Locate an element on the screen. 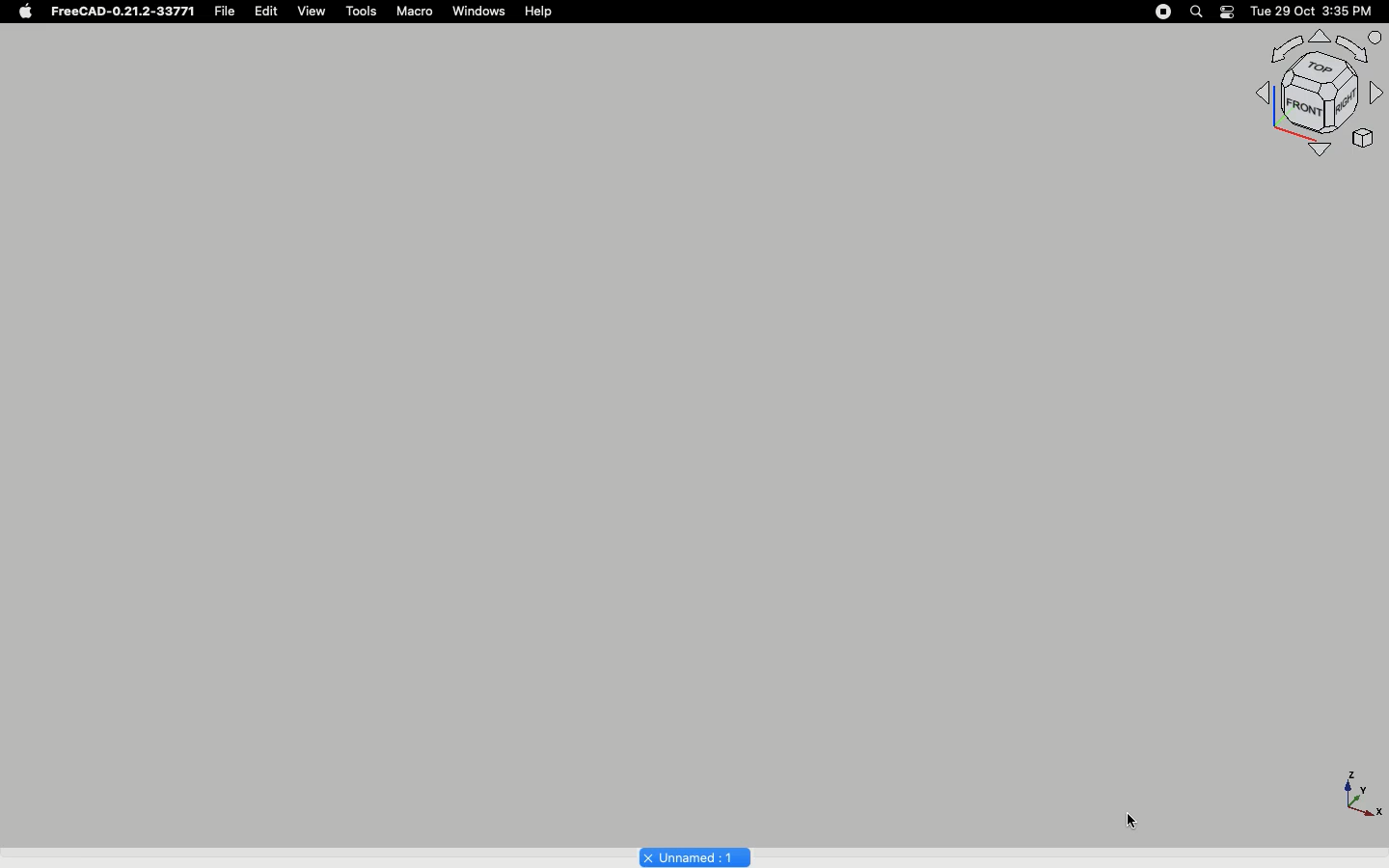 This screenshot has height=868, width=1389. battery is located at coordinates (1228, 14).